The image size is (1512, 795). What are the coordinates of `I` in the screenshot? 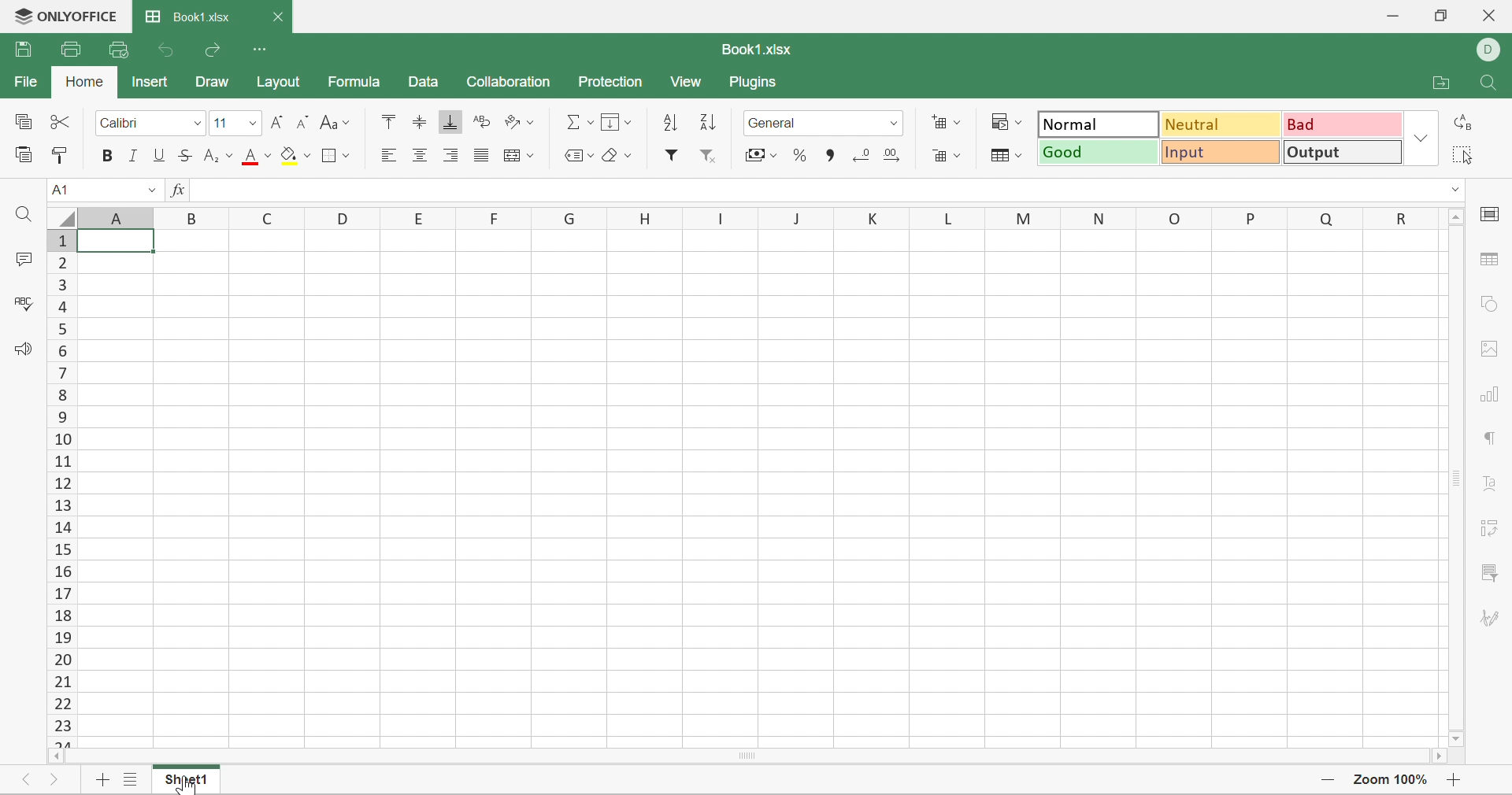 It's located at (721, 216).